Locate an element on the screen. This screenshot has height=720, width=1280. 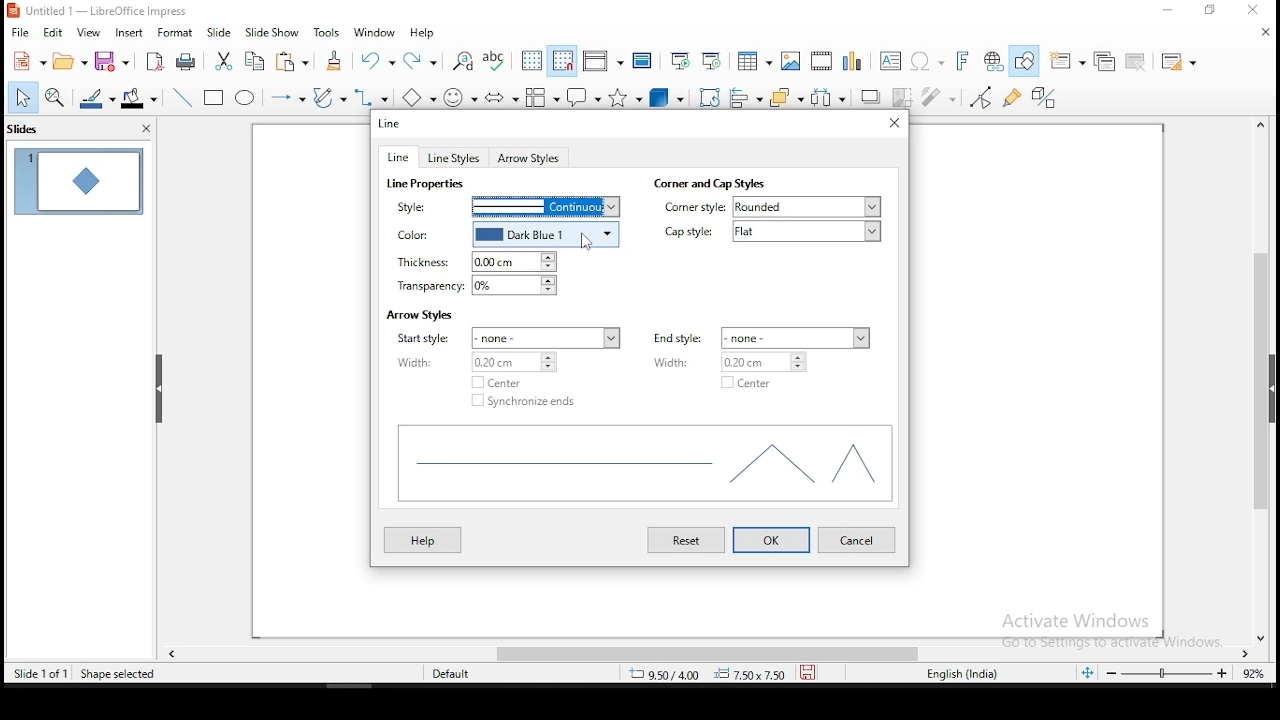
0.20 cm is located at coordinates (528, 363).